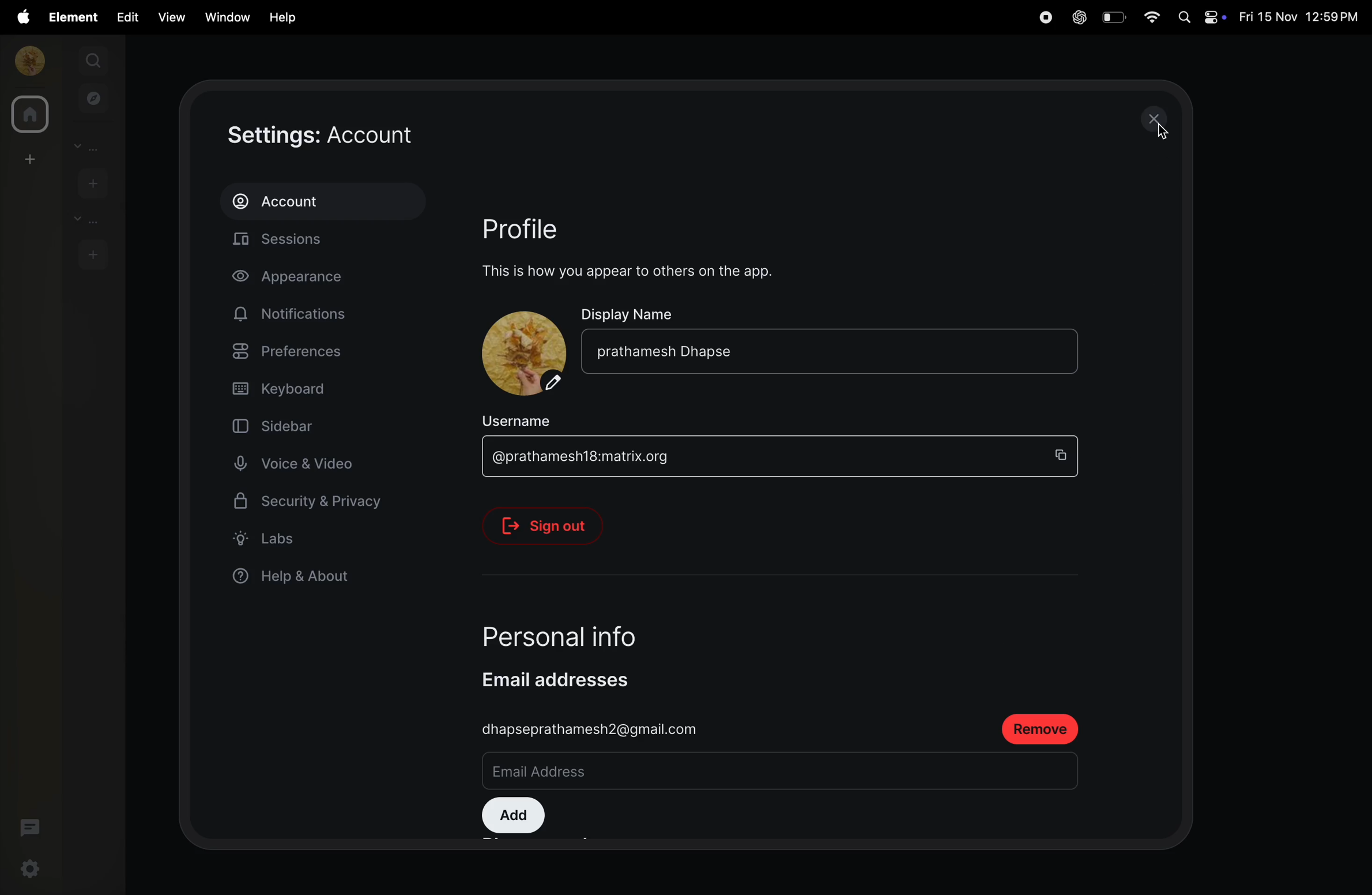 Image resolution: width=1372 pixels, height=895 pixels. What do you see at coordinates (522, 350) in the screenshot?
I see `profile name` at bounding box center [522, 350].